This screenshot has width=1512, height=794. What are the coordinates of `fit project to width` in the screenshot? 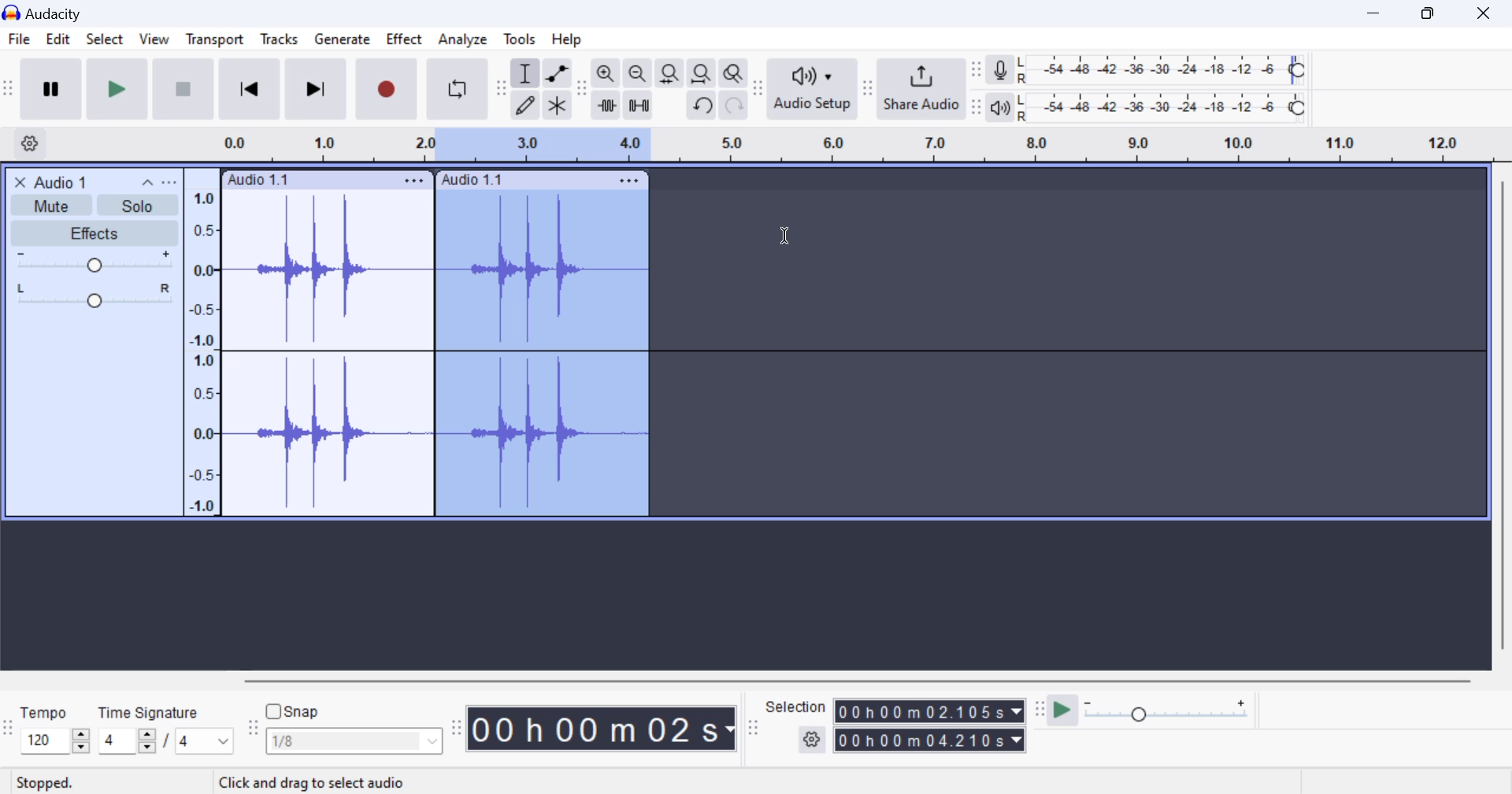 It's located at (702, 74).